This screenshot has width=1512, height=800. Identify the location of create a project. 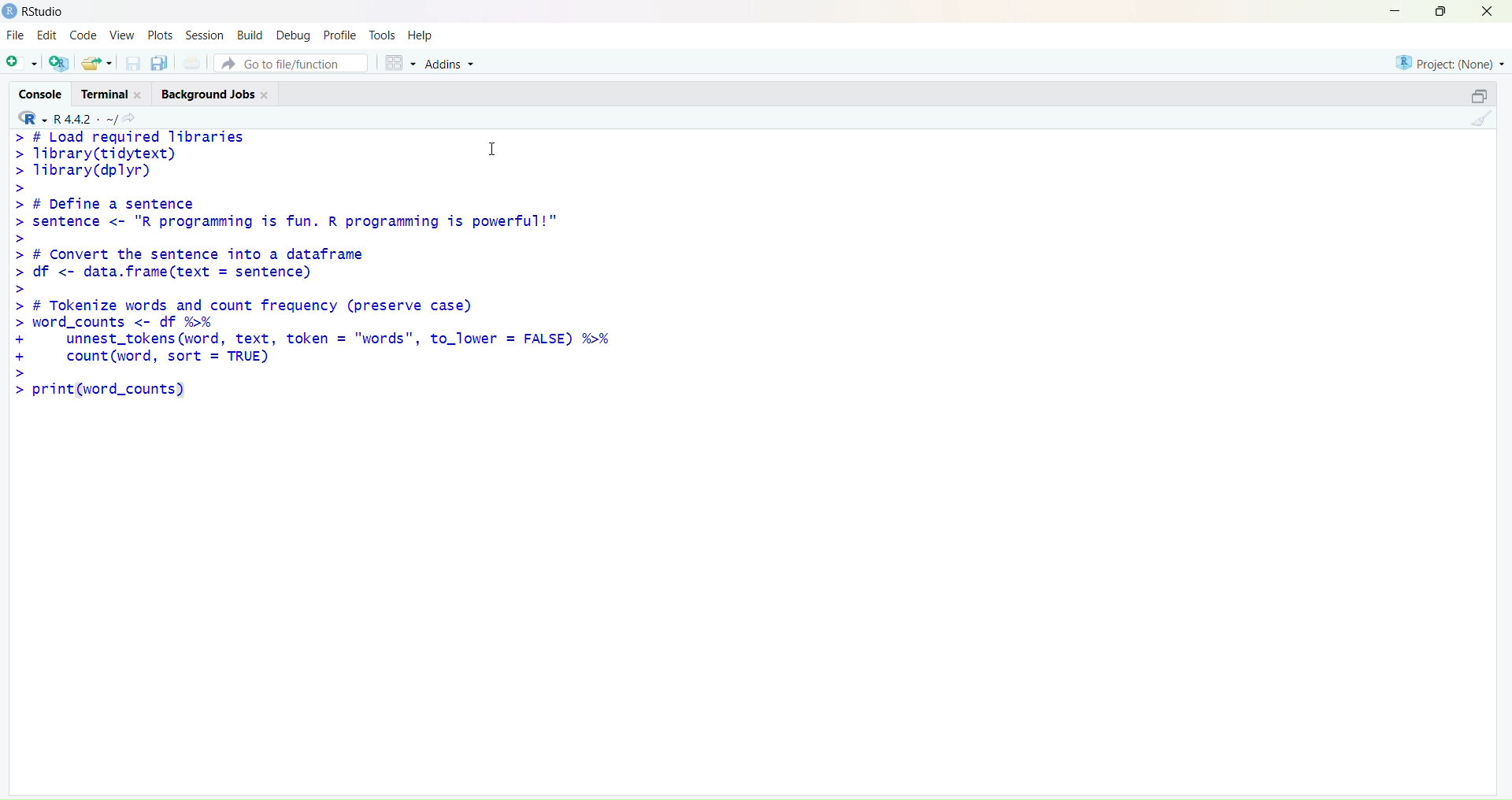
(59, 64).